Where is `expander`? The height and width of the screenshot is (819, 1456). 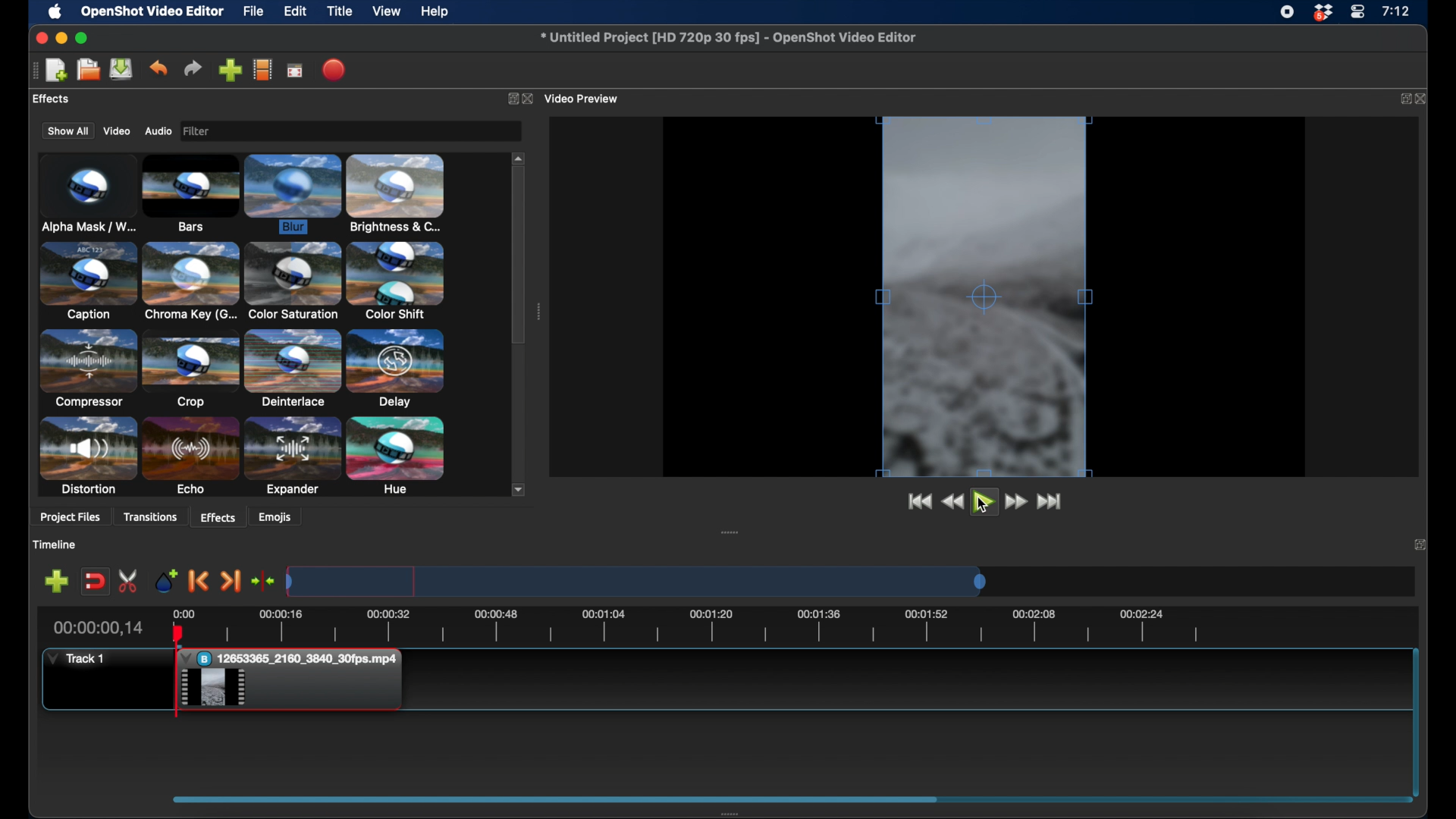
expander is located at coordinates (293, 457).